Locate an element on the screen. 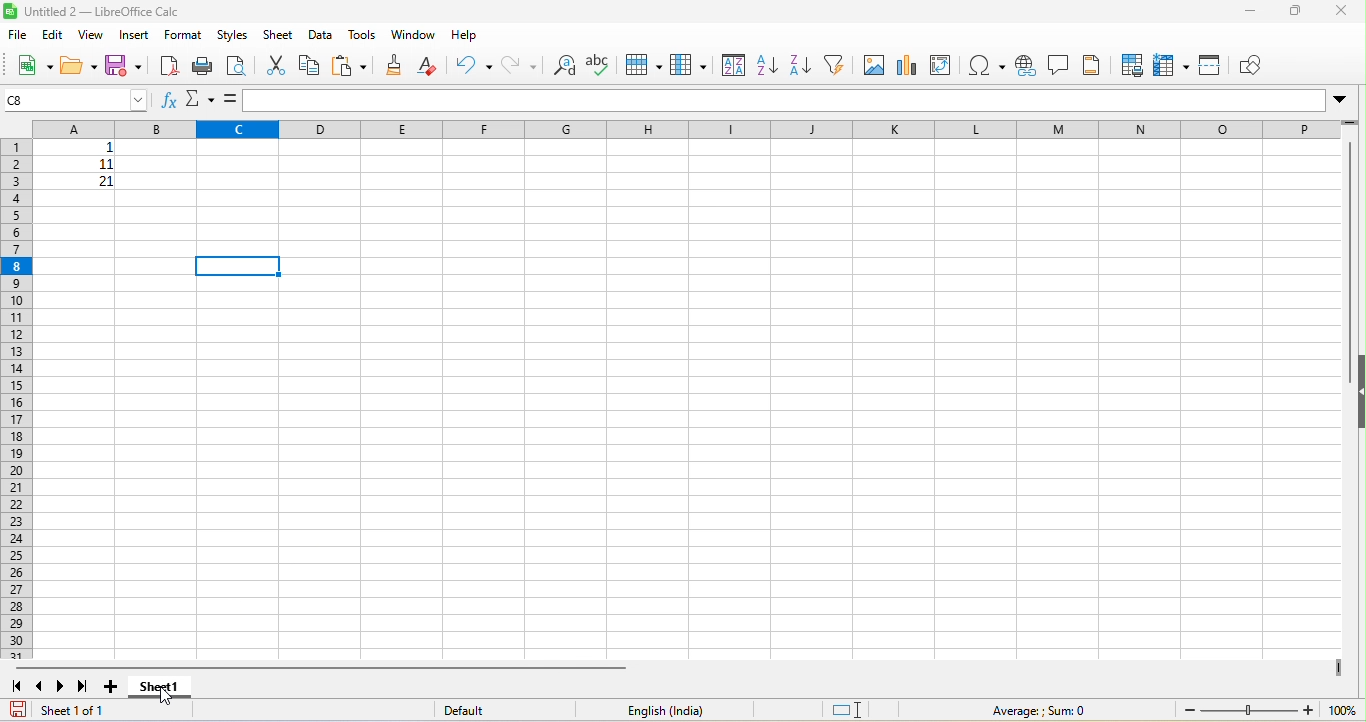 The height and width of the screenshot is (722, 1366). formula is located at coordinates (1036, 710).